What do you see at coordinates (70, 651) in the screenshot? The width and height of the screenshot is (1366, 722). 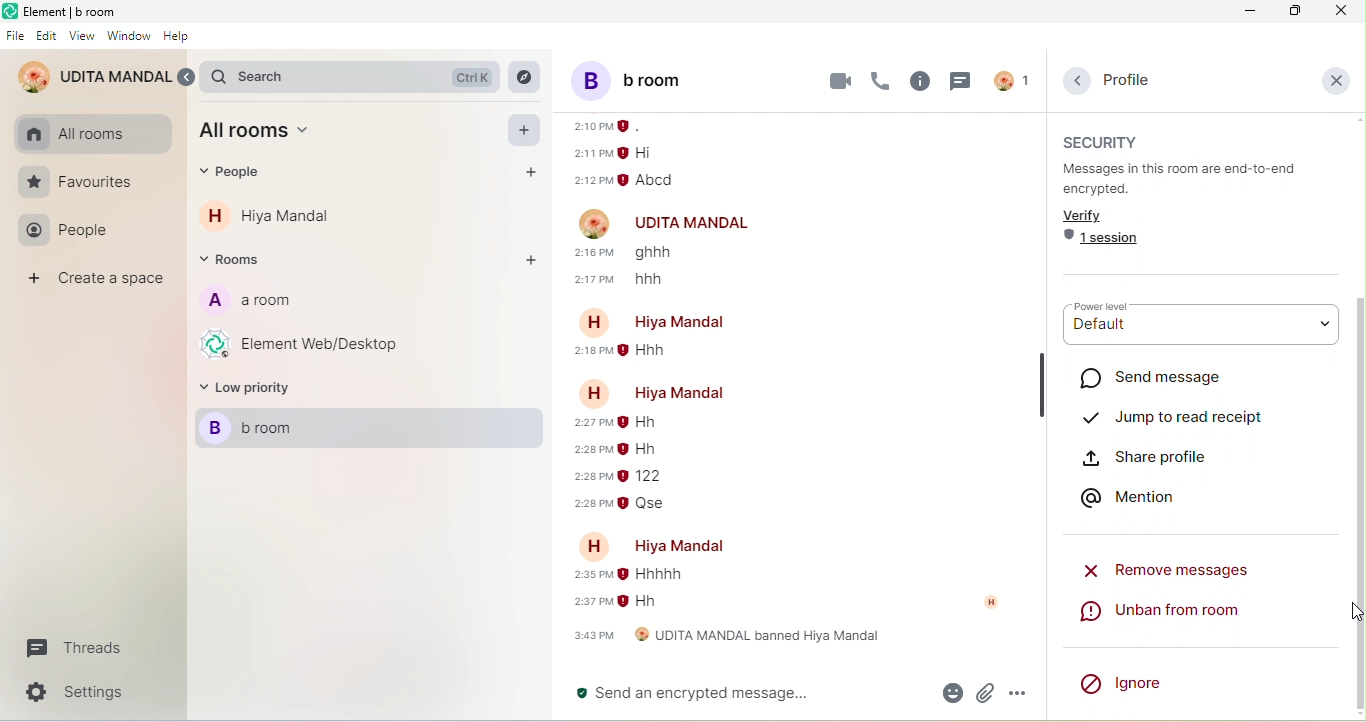 I see `threads` at bounding box center [70, 651].